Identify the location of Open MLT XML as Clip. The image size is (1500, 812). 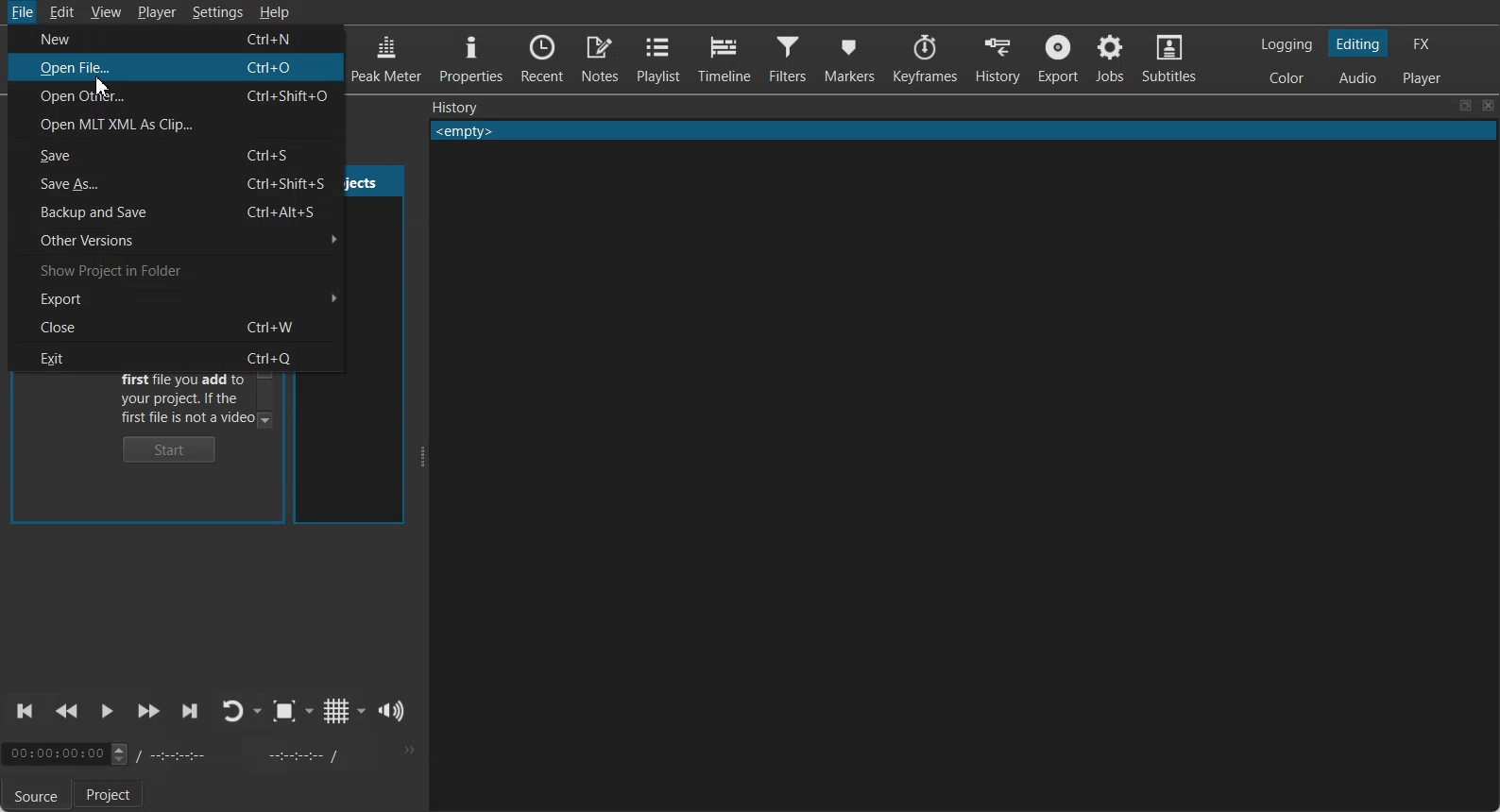
(177, 125).